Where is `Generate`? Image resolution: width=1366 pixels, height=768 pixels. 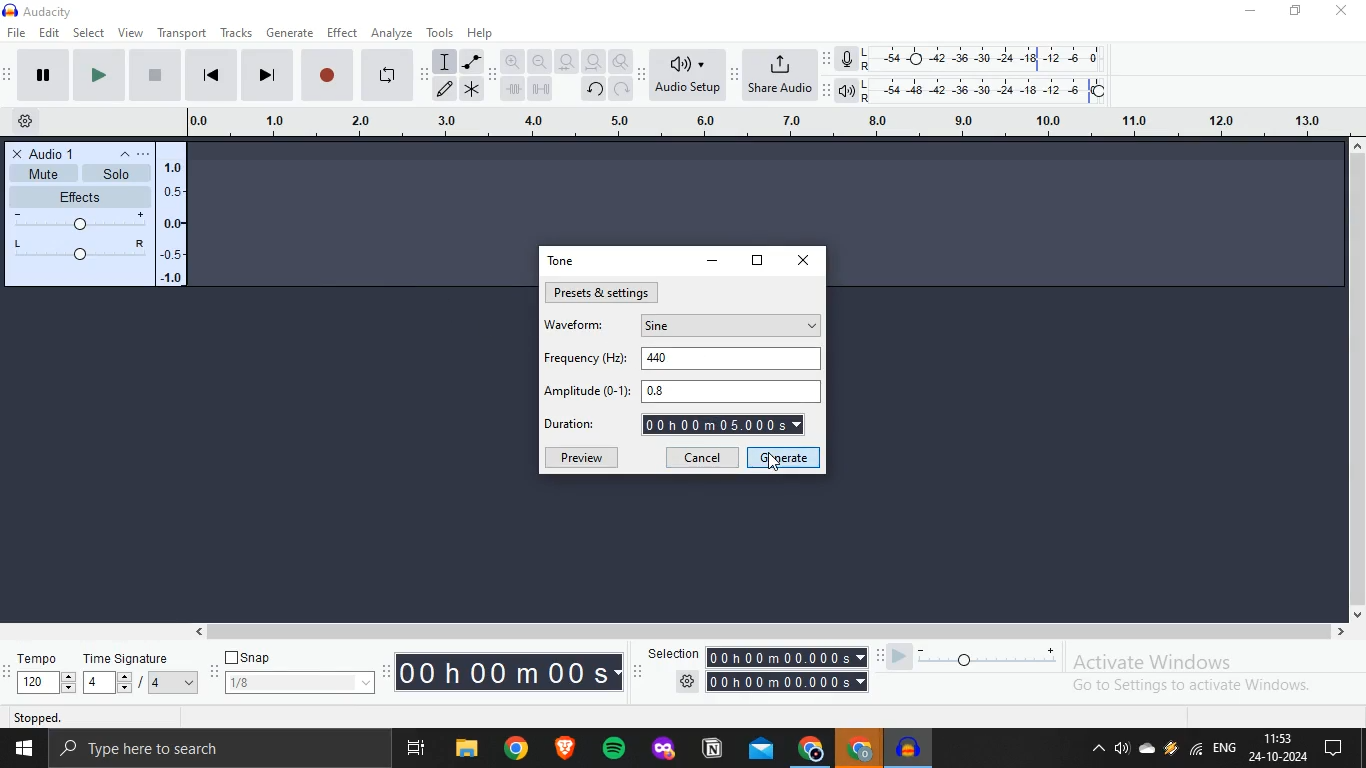
Generate is located at coordinates (293, 31).